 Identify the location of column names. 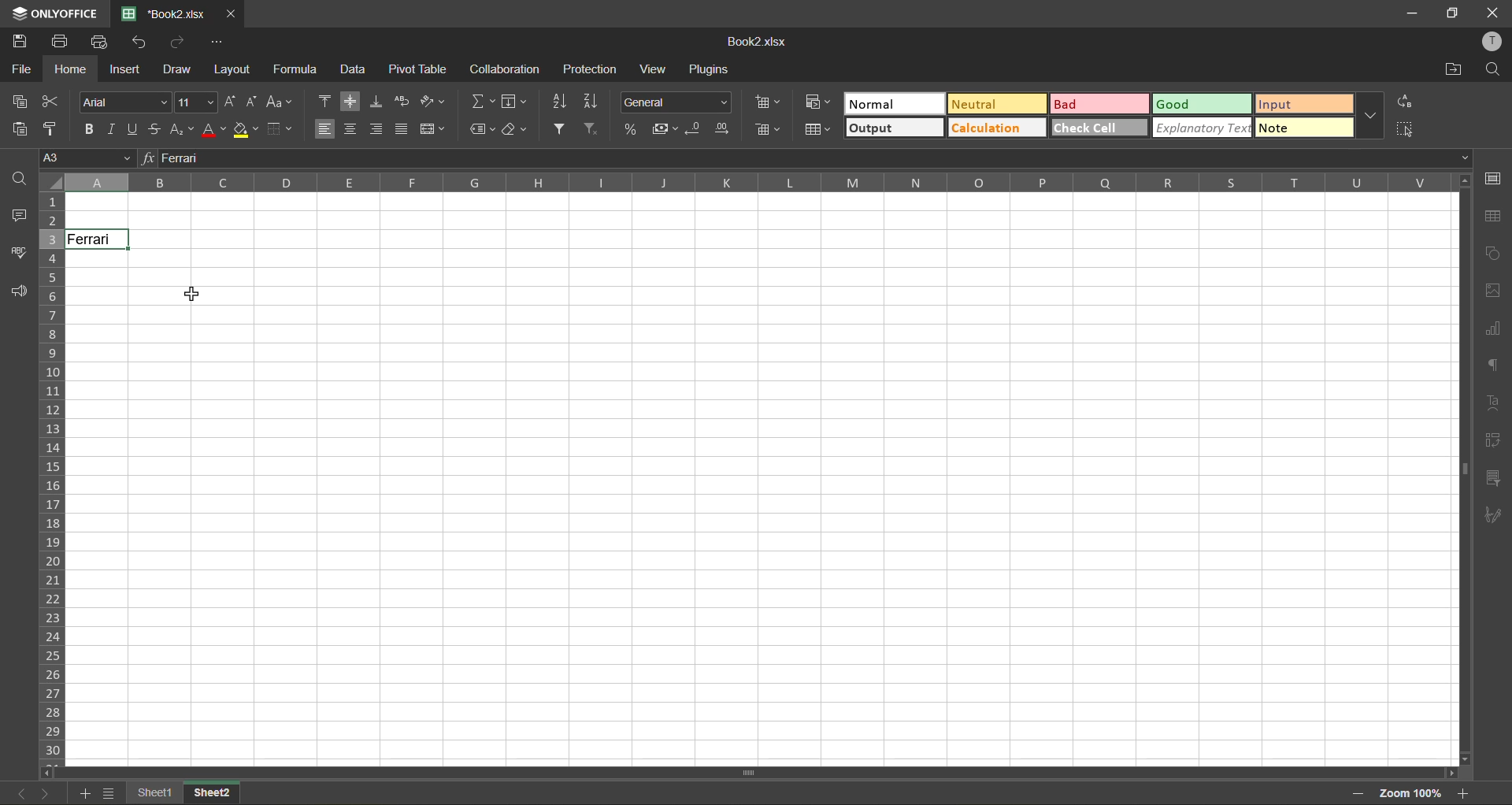
(743, 182).